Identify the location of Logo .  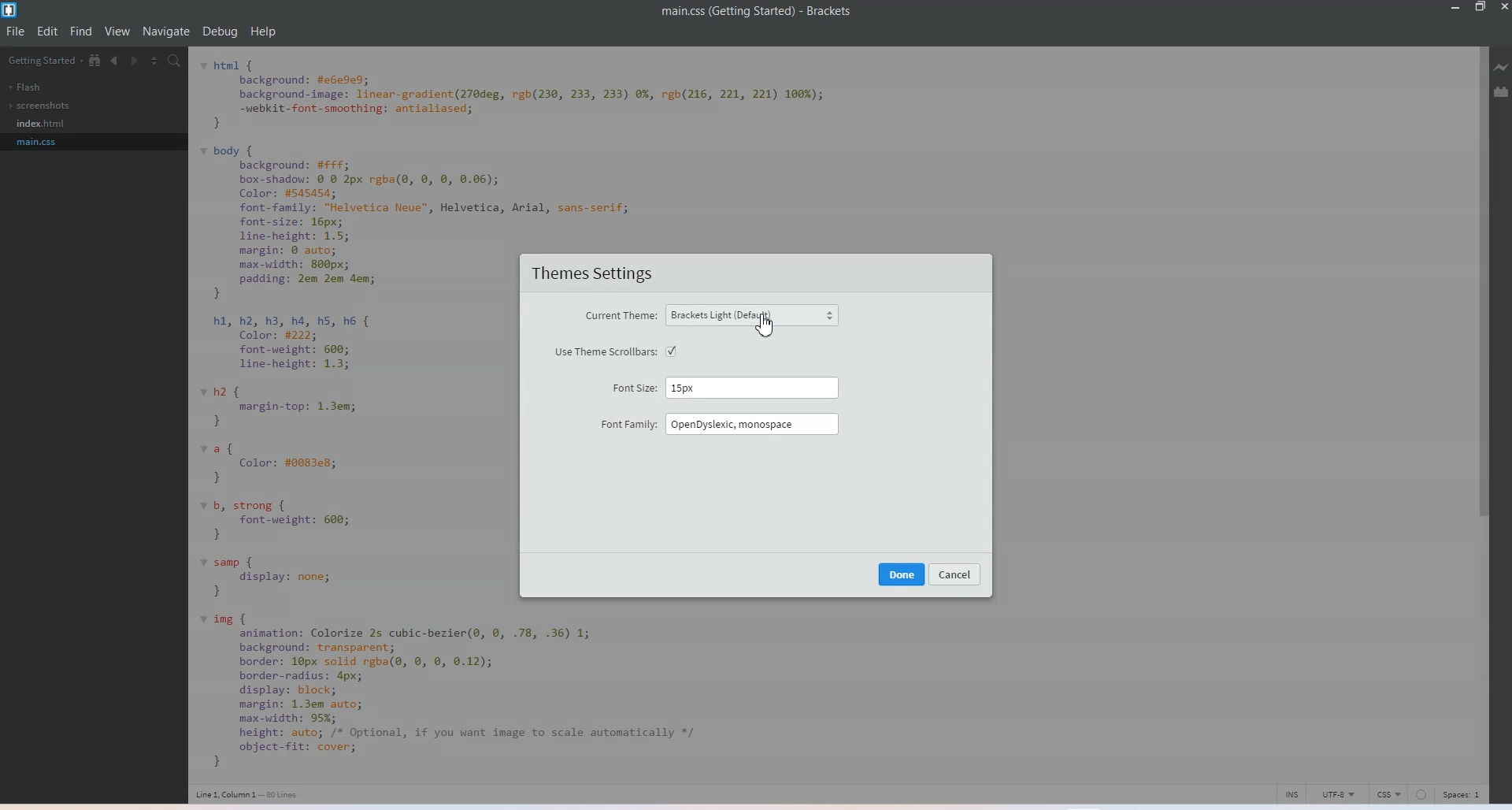
(10, 9).